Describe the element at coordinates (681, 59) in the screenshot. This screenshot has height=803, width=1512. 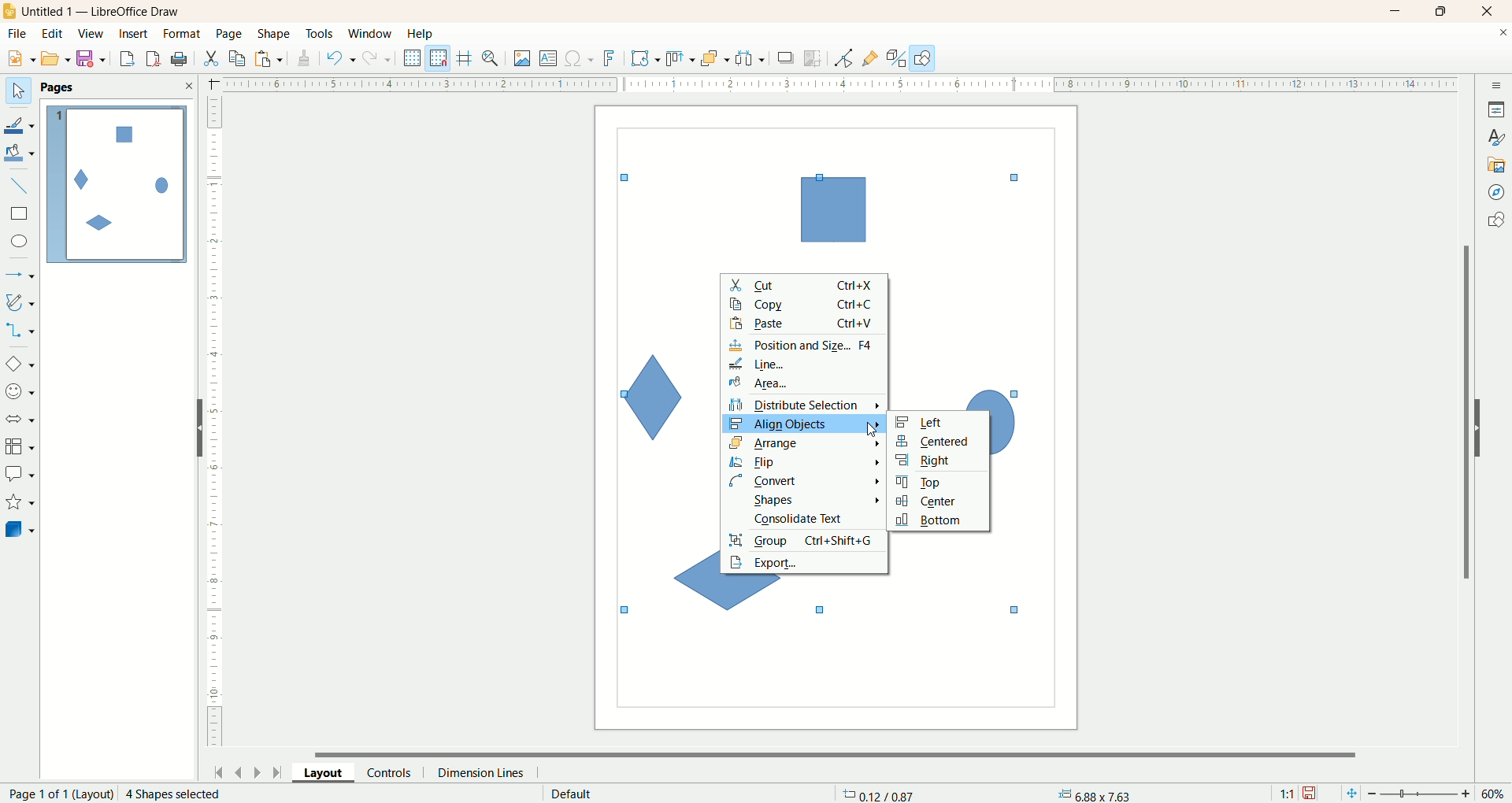
I see `allign object` at that location.